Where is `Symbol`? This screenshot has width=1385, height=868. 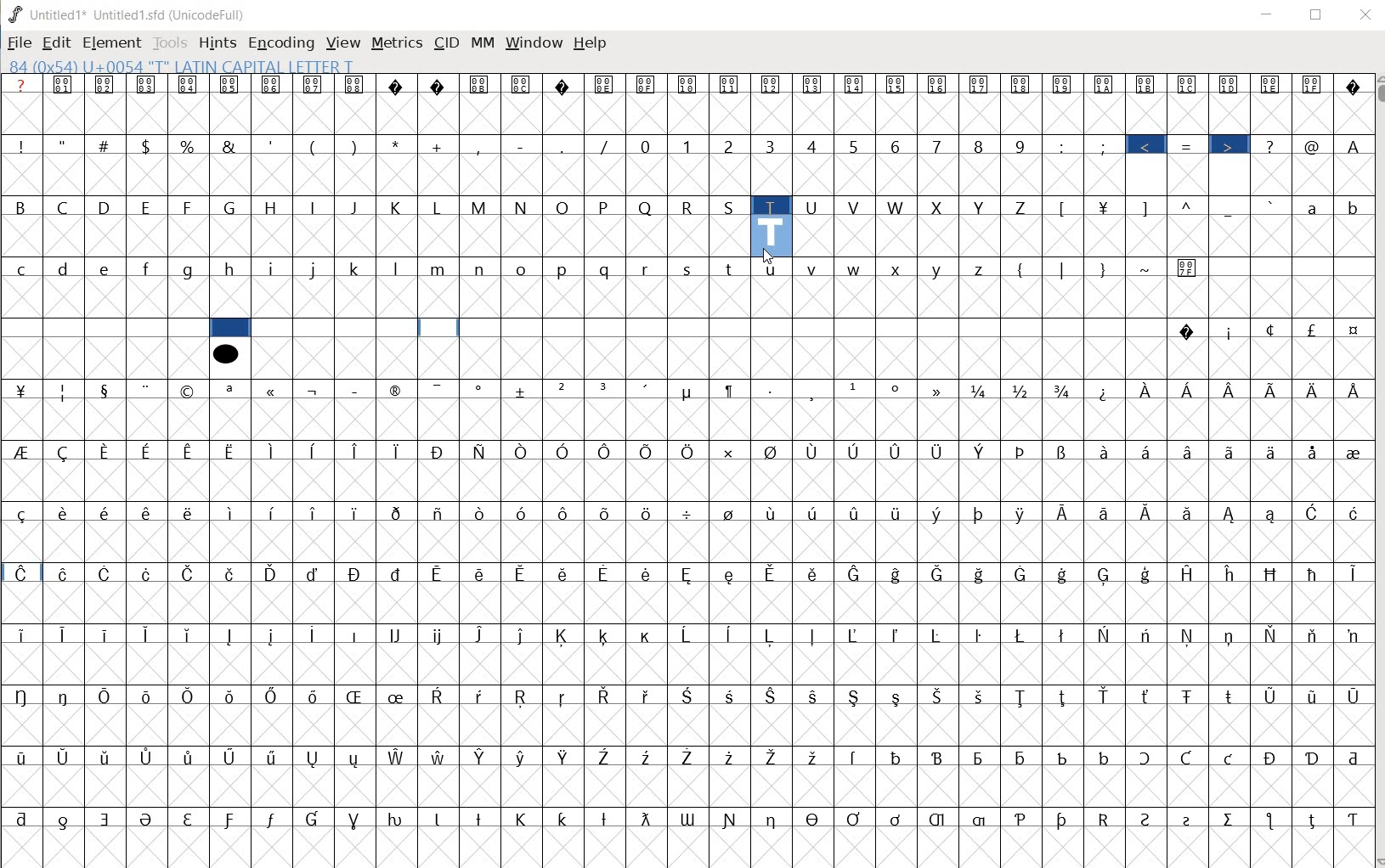
Symbol is located at coordinates (272, 695).